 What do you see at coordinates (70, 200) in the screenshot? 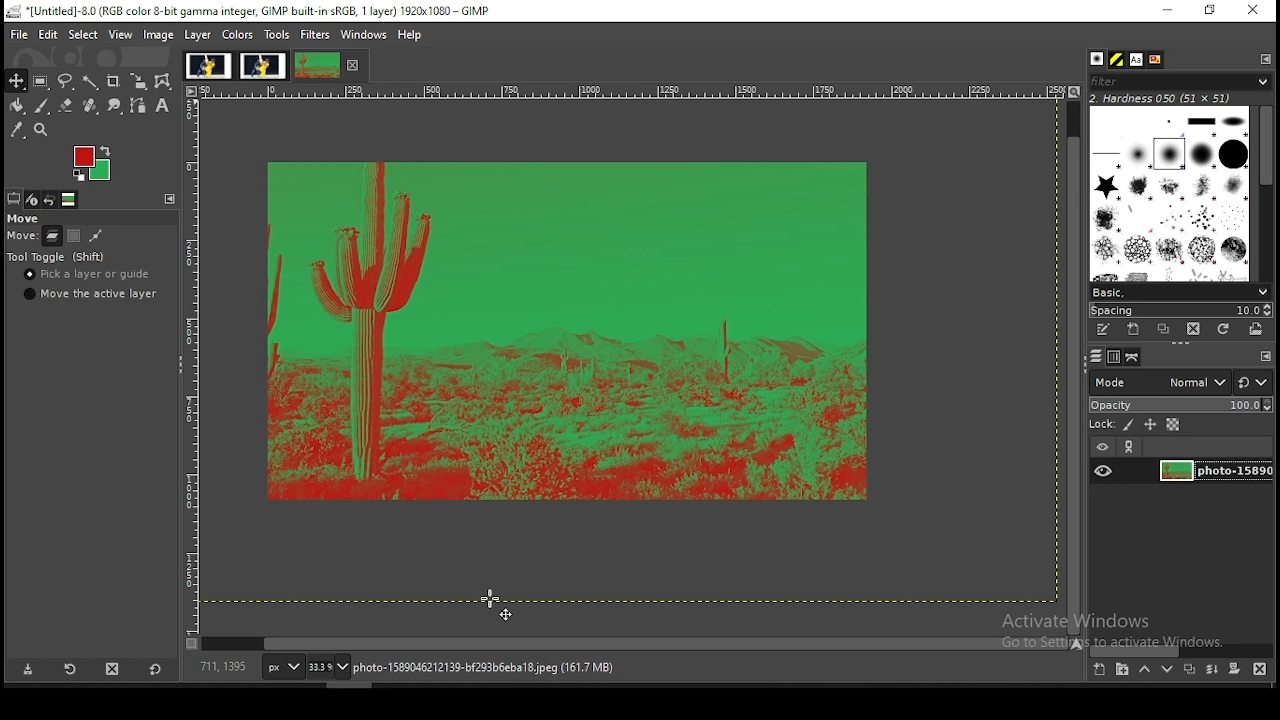
I see `images` at bounding box center [70, 200].